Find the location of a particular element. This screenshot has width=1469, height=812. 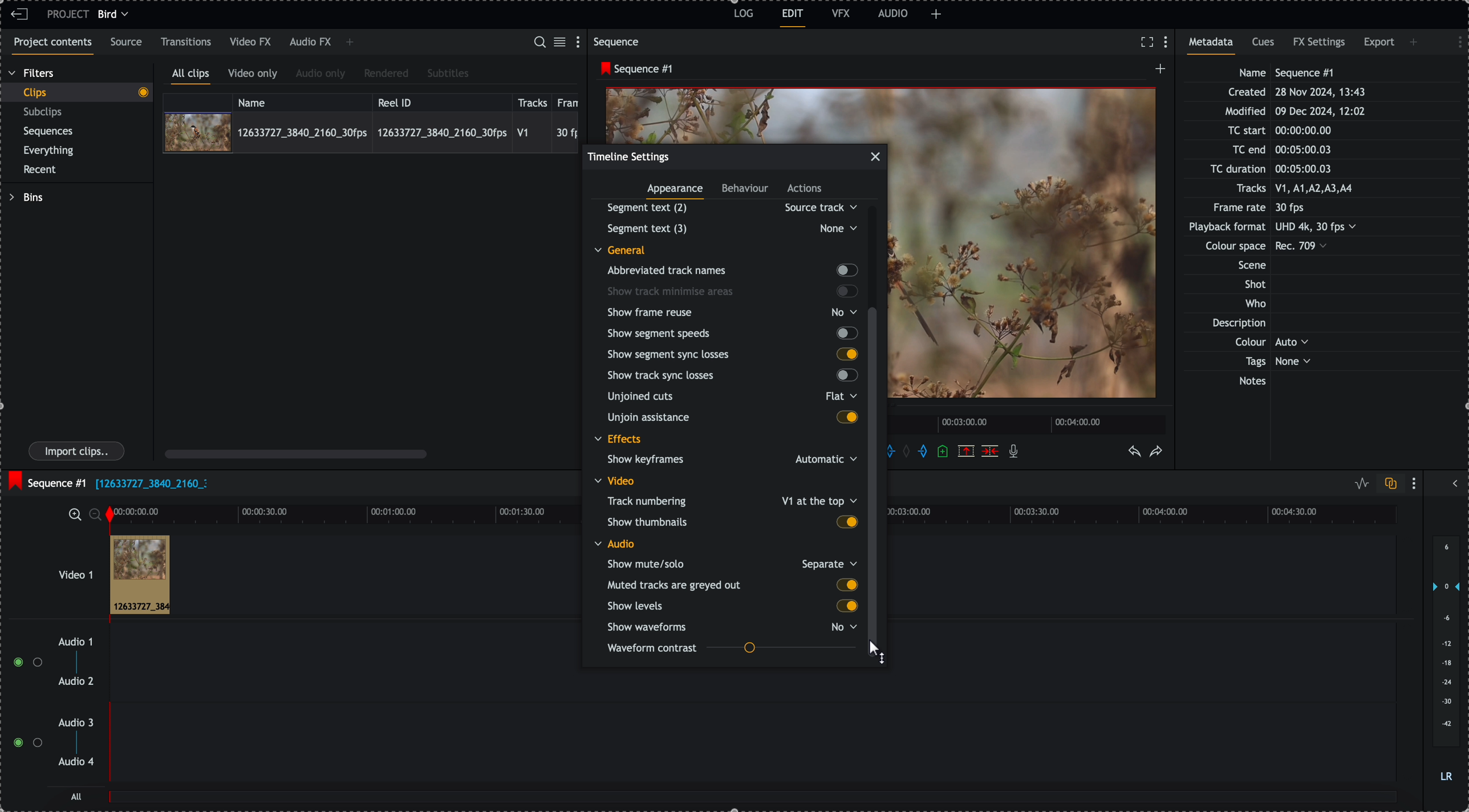

create a new sequence is located at coordinates (1158, 72).